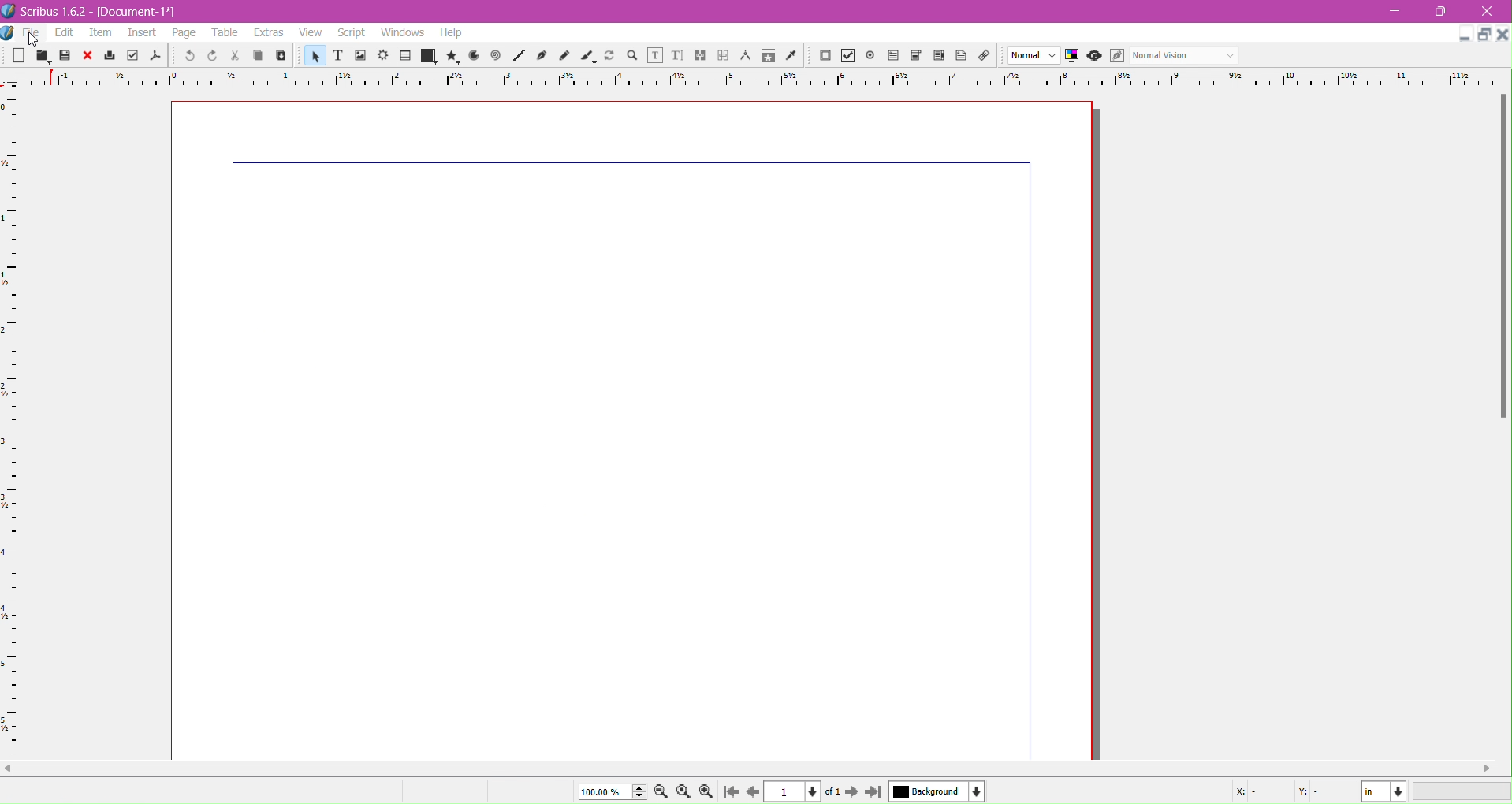 This screenshot has height=804, width=1512. What do you see at coordinates (729, 793) in the screenshot?
I see `go to start page` at bounding box center [729, 793].